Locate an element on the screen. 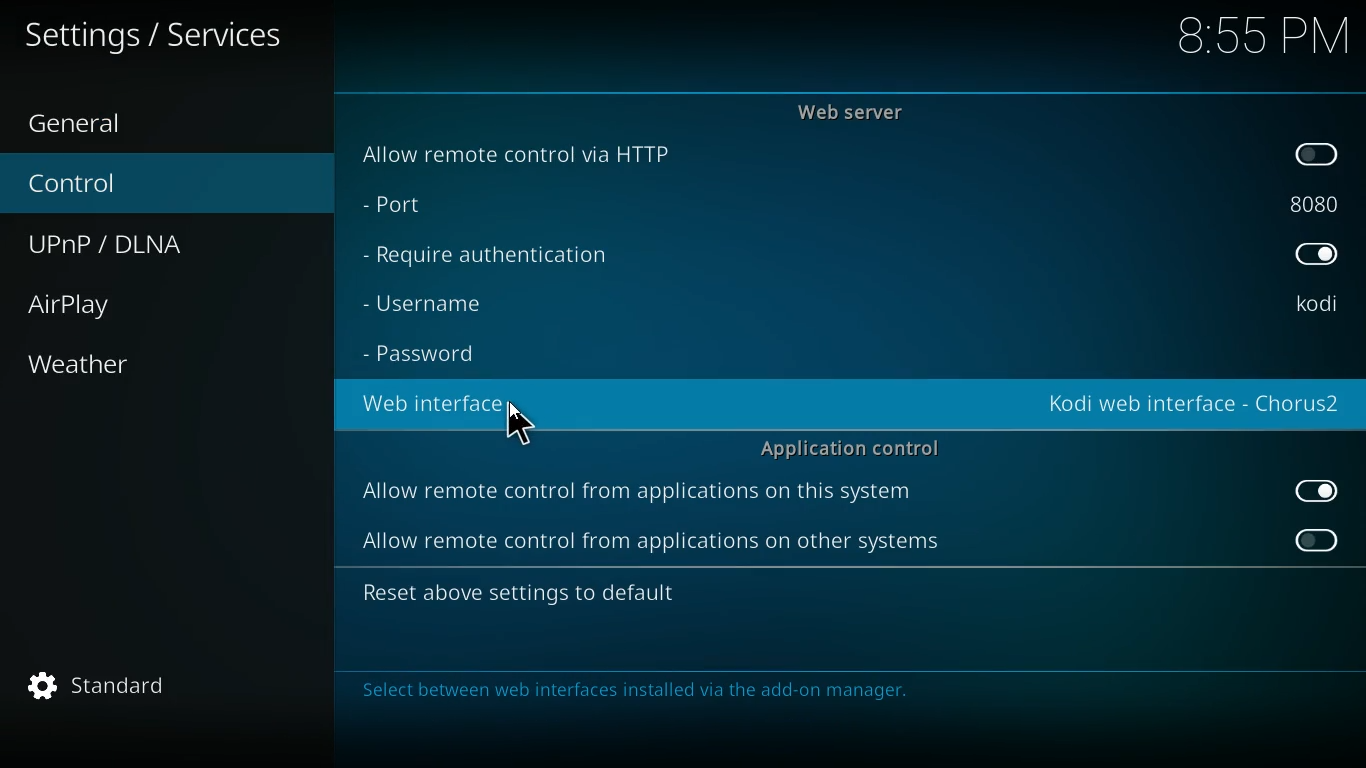 The image size is (1366, 768). password is located at coordinates (433, 355).